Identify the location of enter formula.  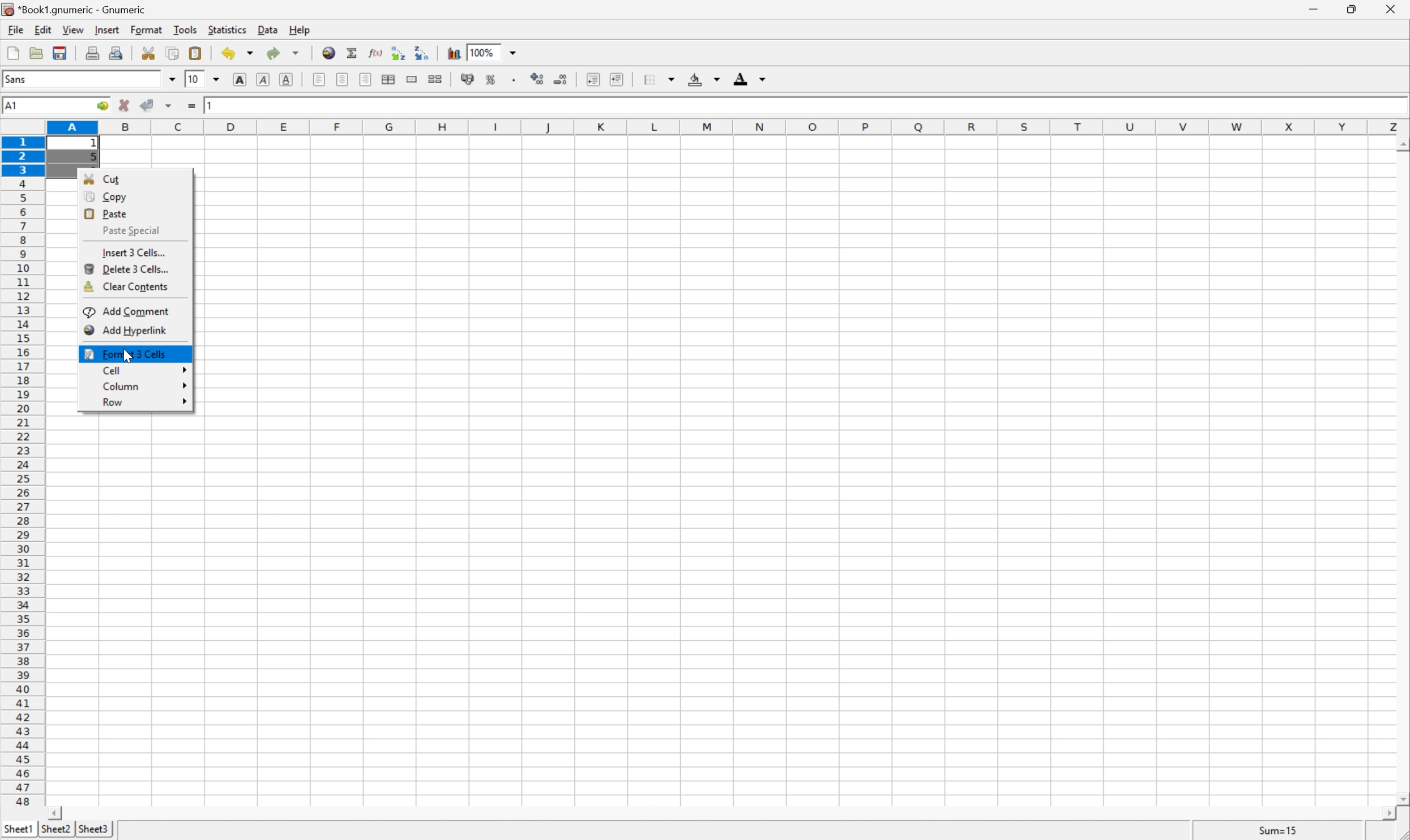
(192, 106).